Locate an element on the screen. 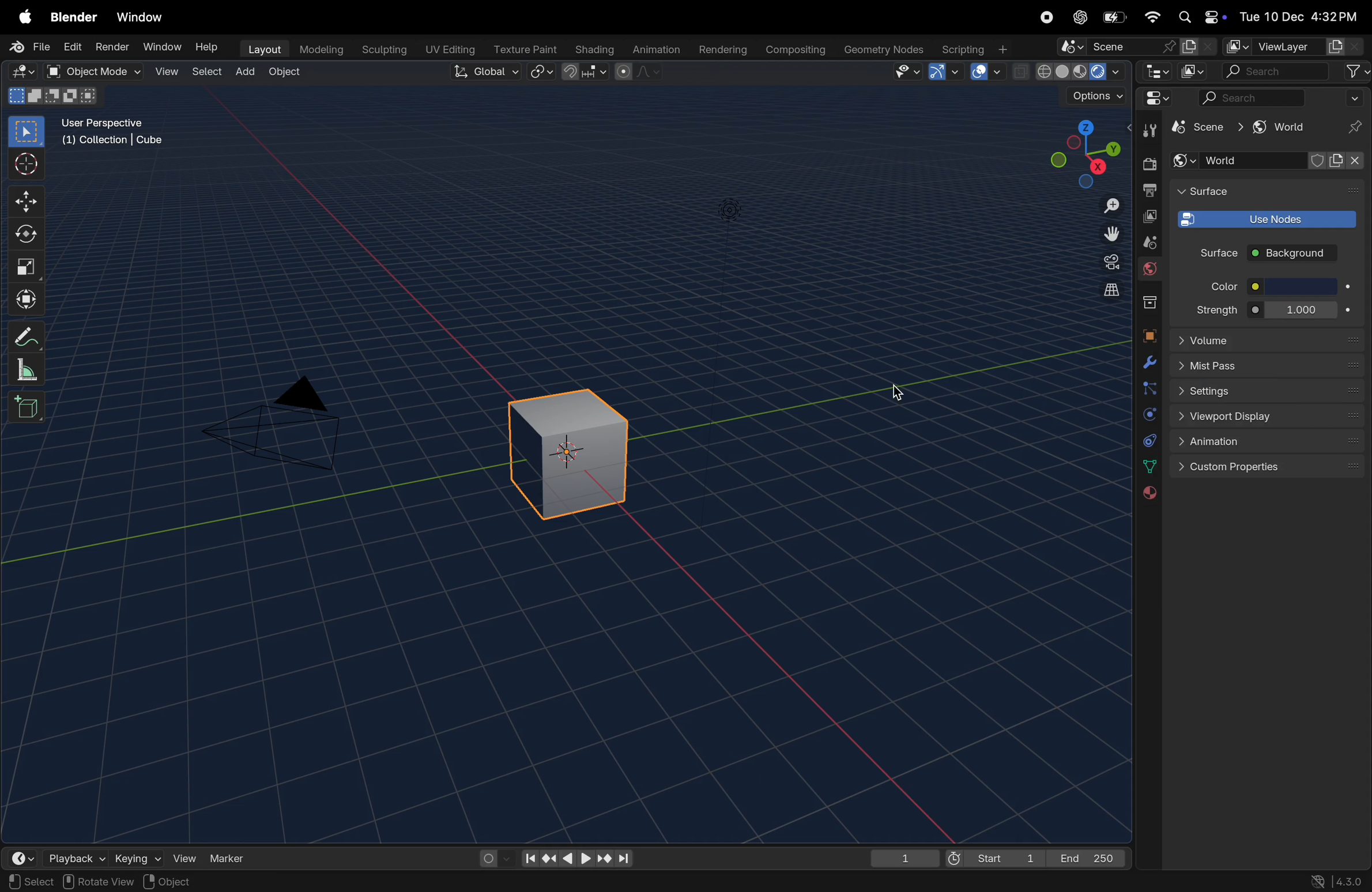  chatgpt is located at coordinates (1081, 17).